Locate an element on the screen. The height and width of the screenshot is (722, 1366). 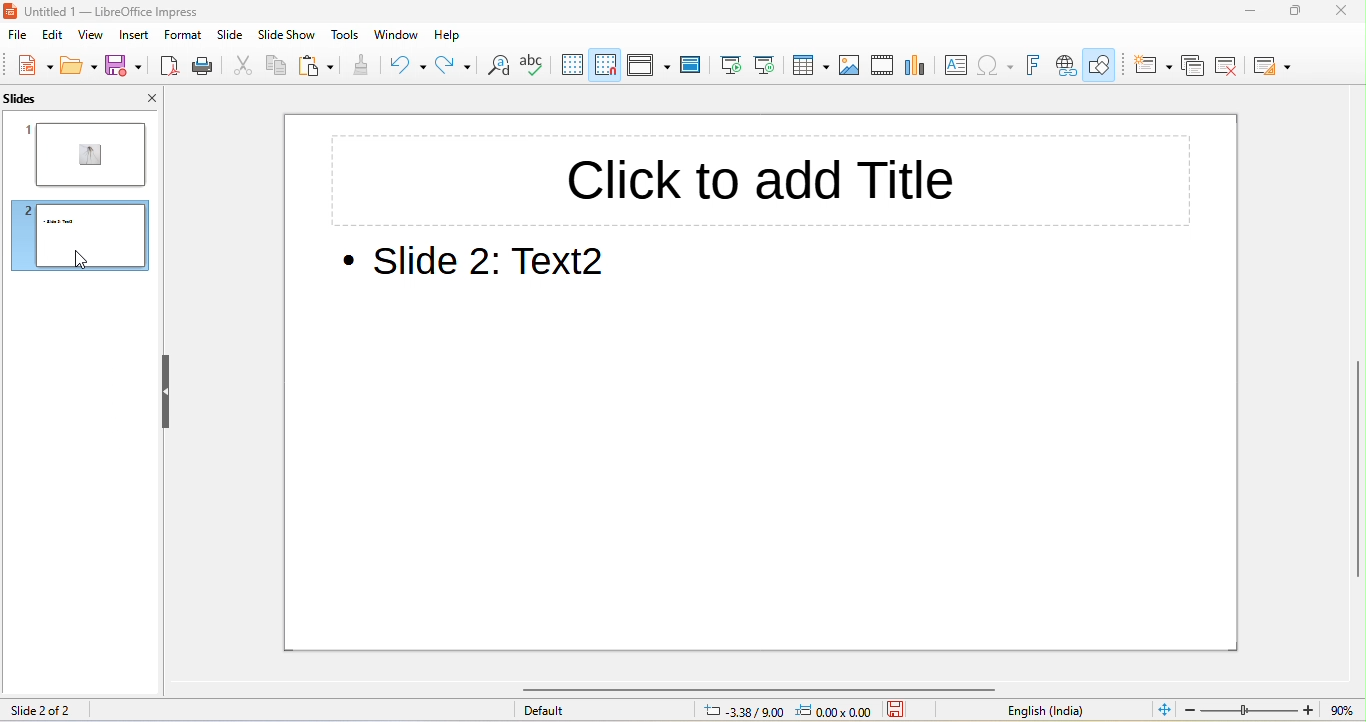
help is located at coordinates (443, 34).